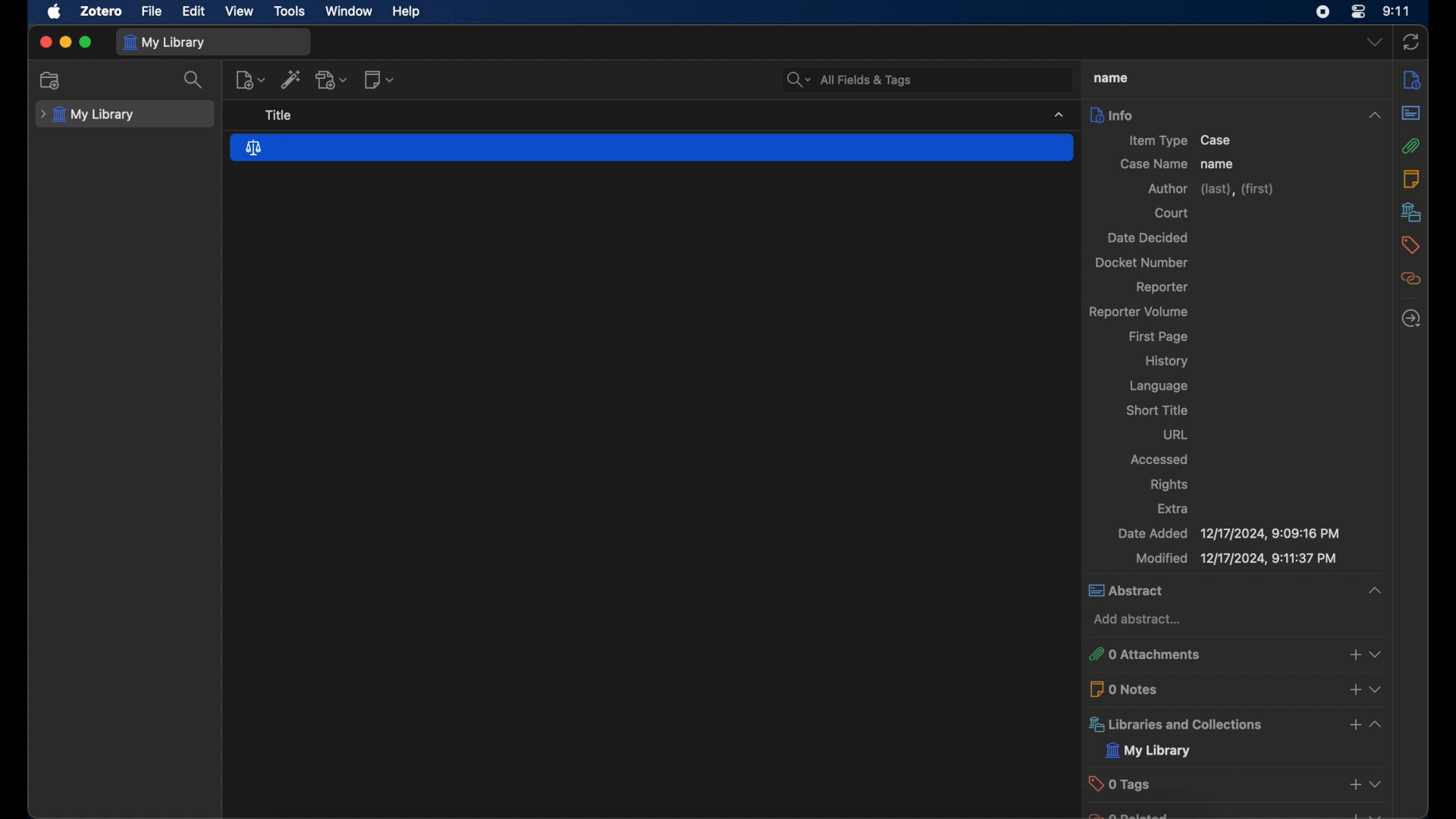 This screenshot has width=1456, height=819. I want to click on date added, so click(1227, 535).